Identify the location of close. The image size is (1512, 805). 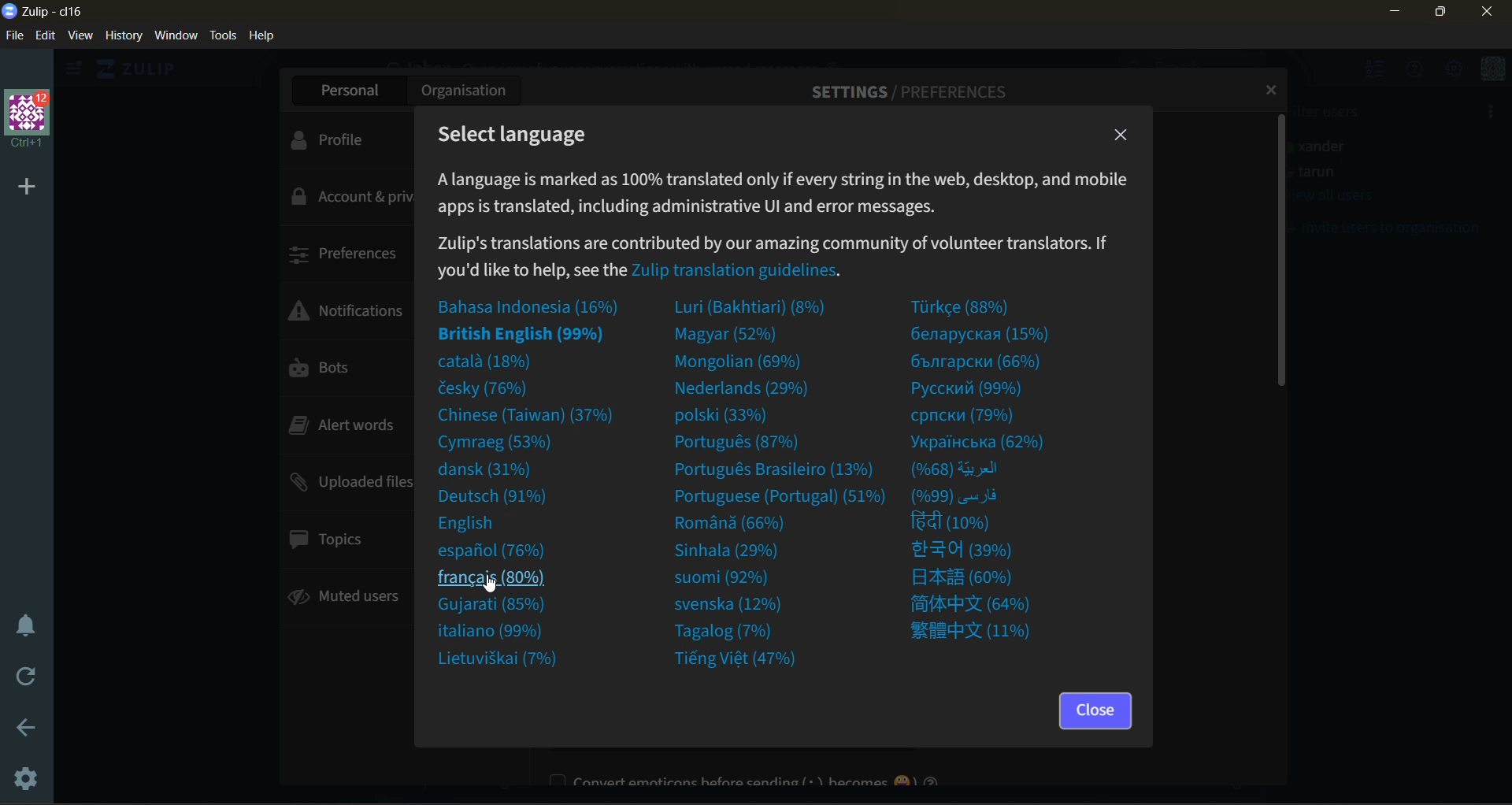
(1095, 712).